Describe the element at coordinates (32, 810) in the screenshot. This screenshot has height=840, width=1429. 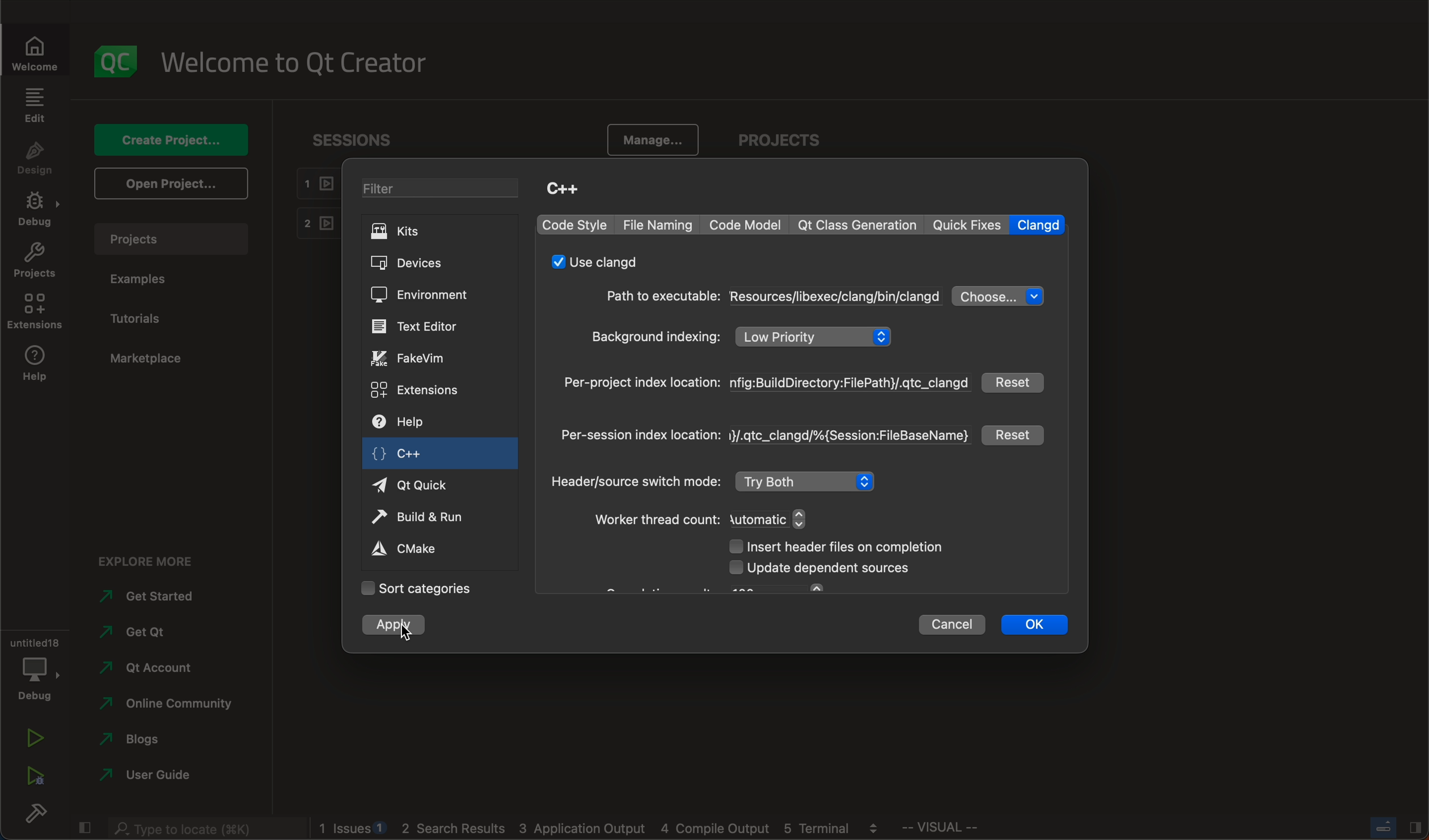
I see `build` at that location.